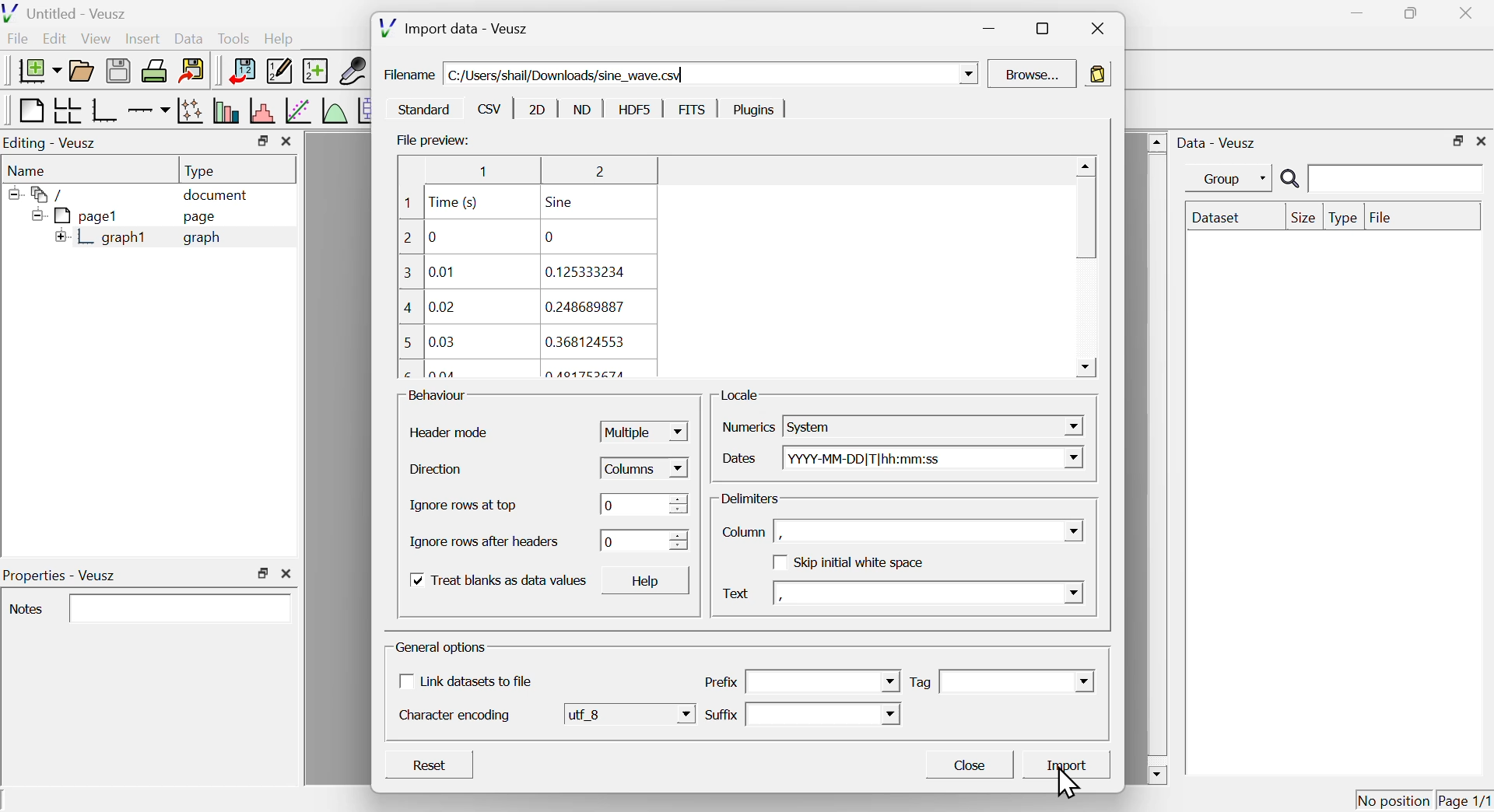 The image size is (1494, 812). What do you see at coordinates (183, 607) in the screenshot?
I see `text box` at bounding box center [183, 607].